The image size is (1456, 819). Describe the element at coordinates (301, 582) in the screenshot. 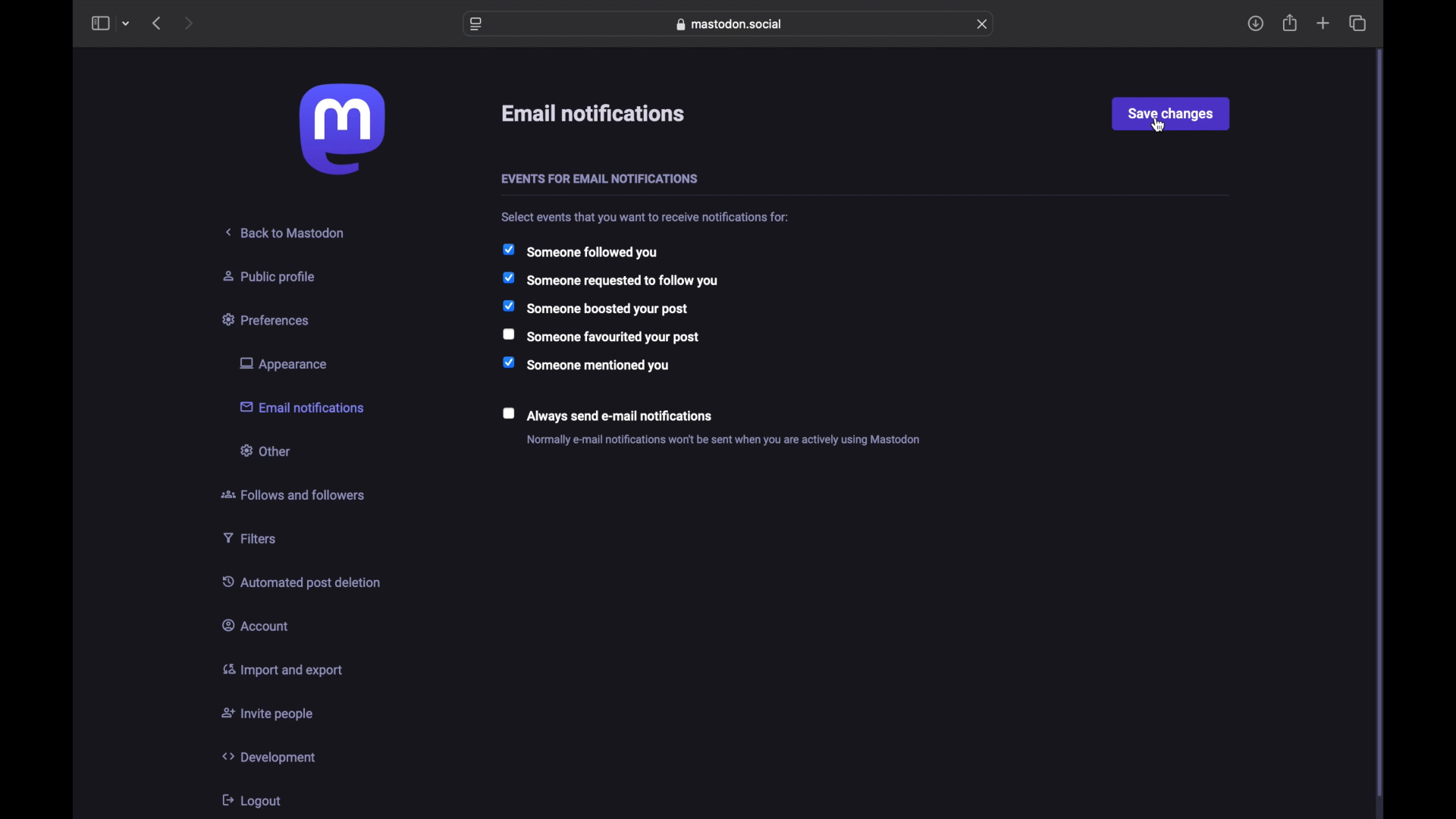

I see `automated post deletion` at that location.